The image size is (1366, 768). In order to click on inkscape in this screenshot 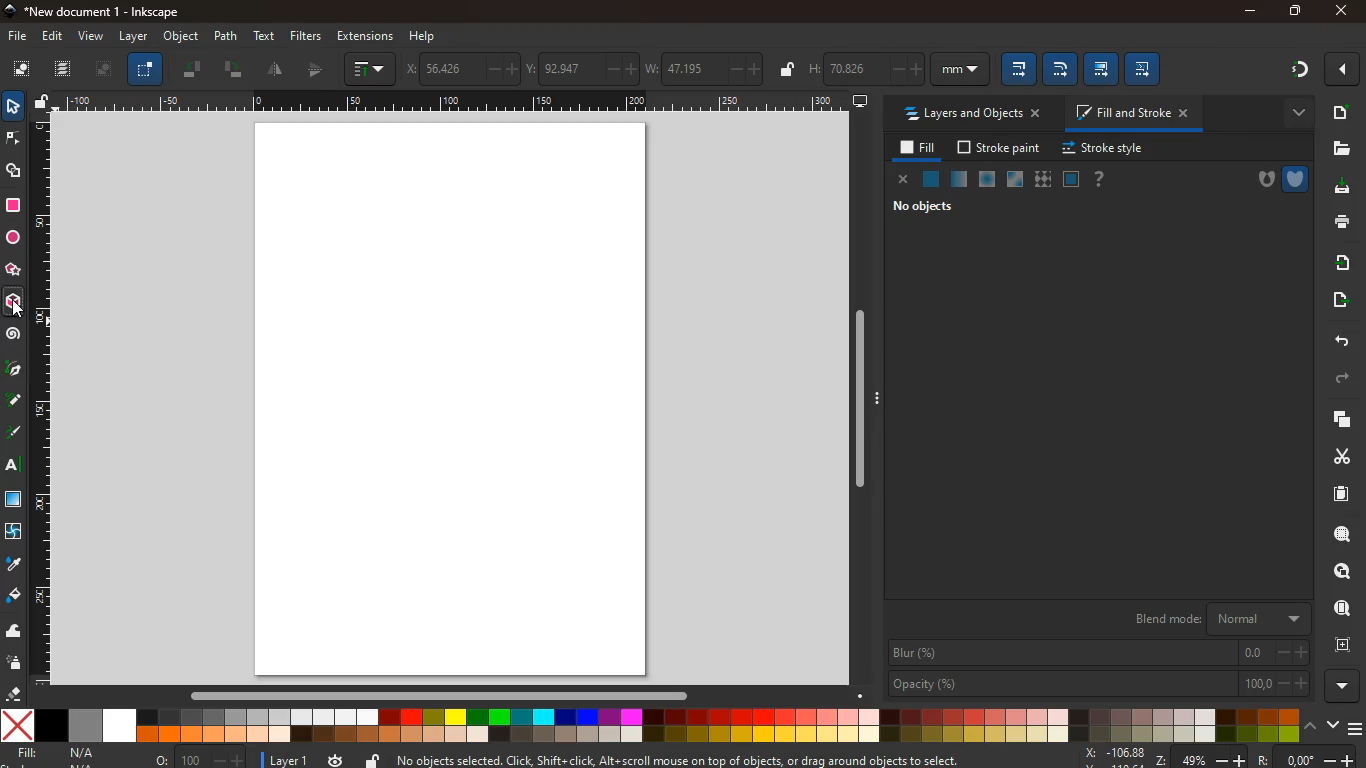, I will do `click(108, 12)`.